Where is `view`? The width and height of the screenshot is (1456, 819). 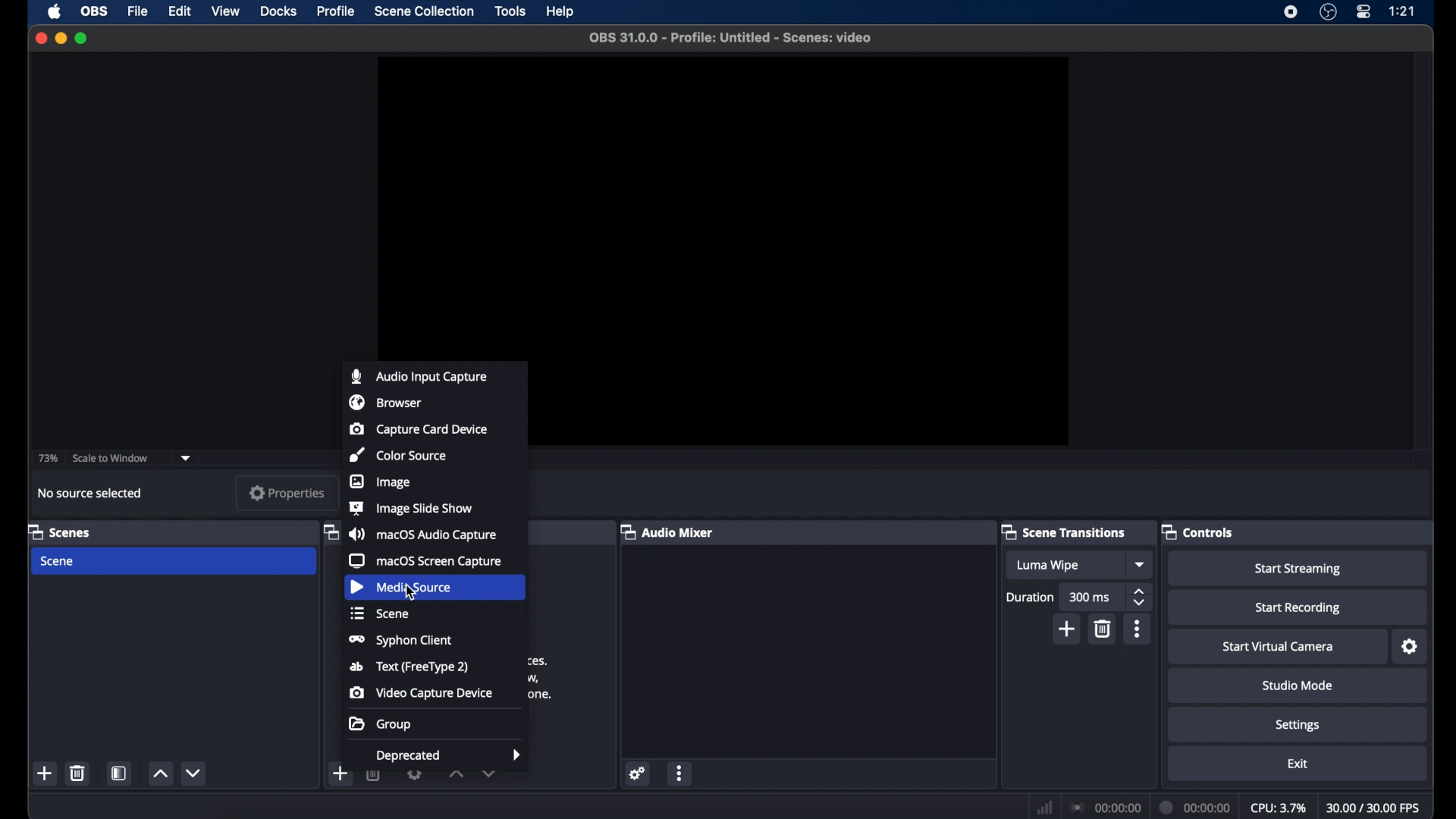
view is located at coordinates (227, 12).